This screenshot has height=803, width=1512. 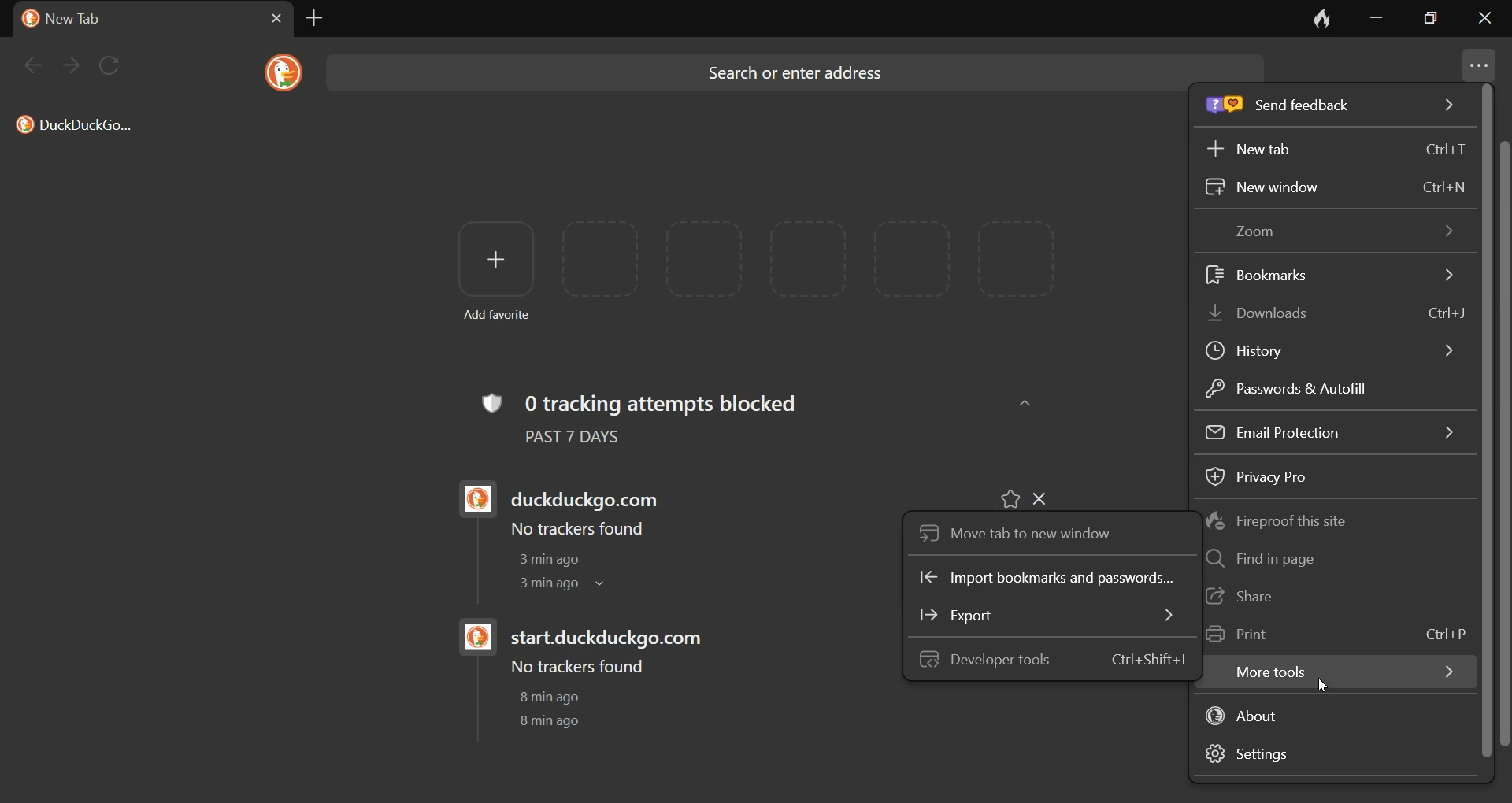 What do you see at coordinates (1335, 148) in the screenshot?
I see `New tab` at bounding box center [1335, 148].